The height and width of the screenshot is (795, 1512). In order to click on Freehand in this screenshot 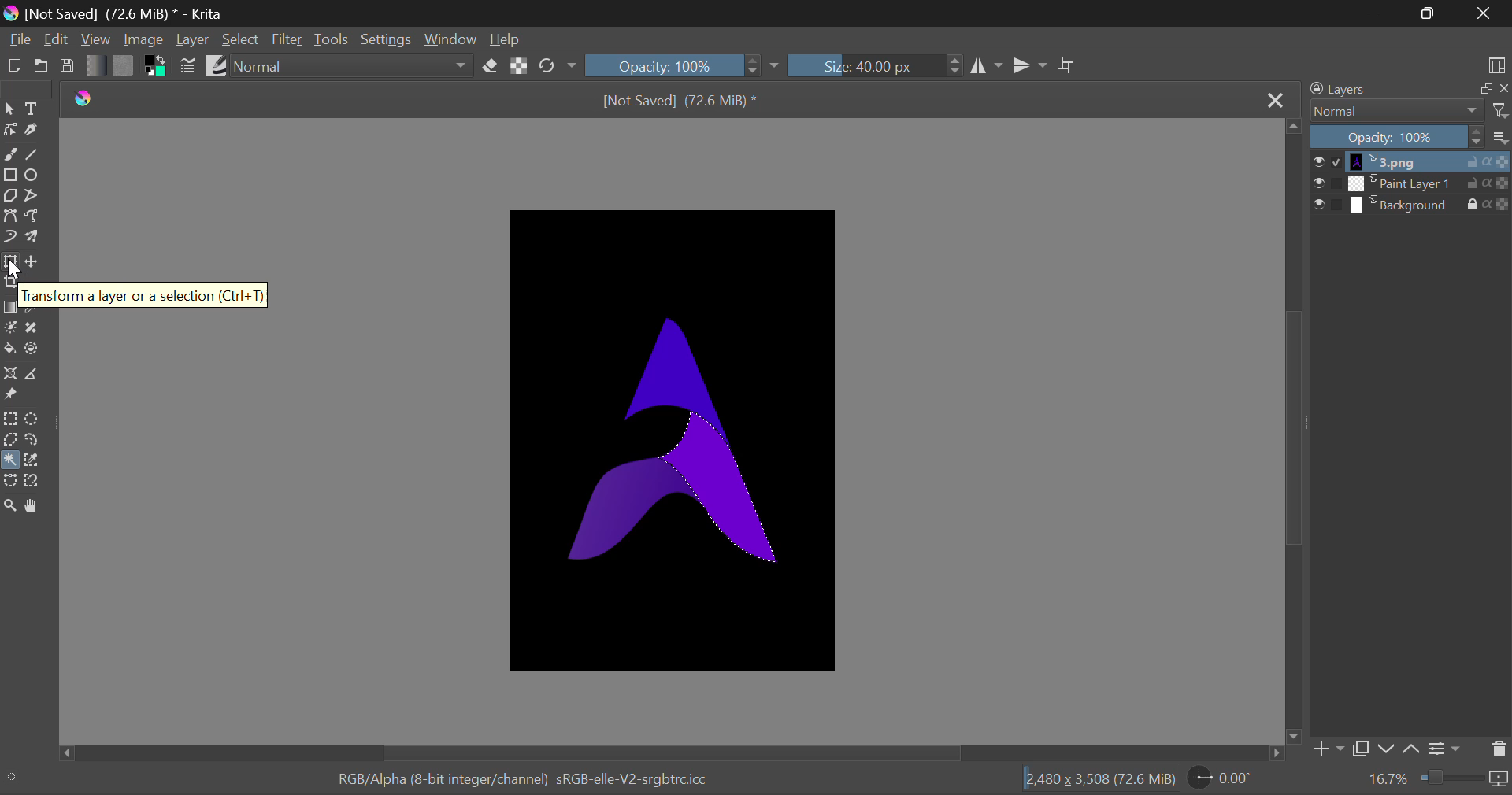, I will do `click(10, 152)`.